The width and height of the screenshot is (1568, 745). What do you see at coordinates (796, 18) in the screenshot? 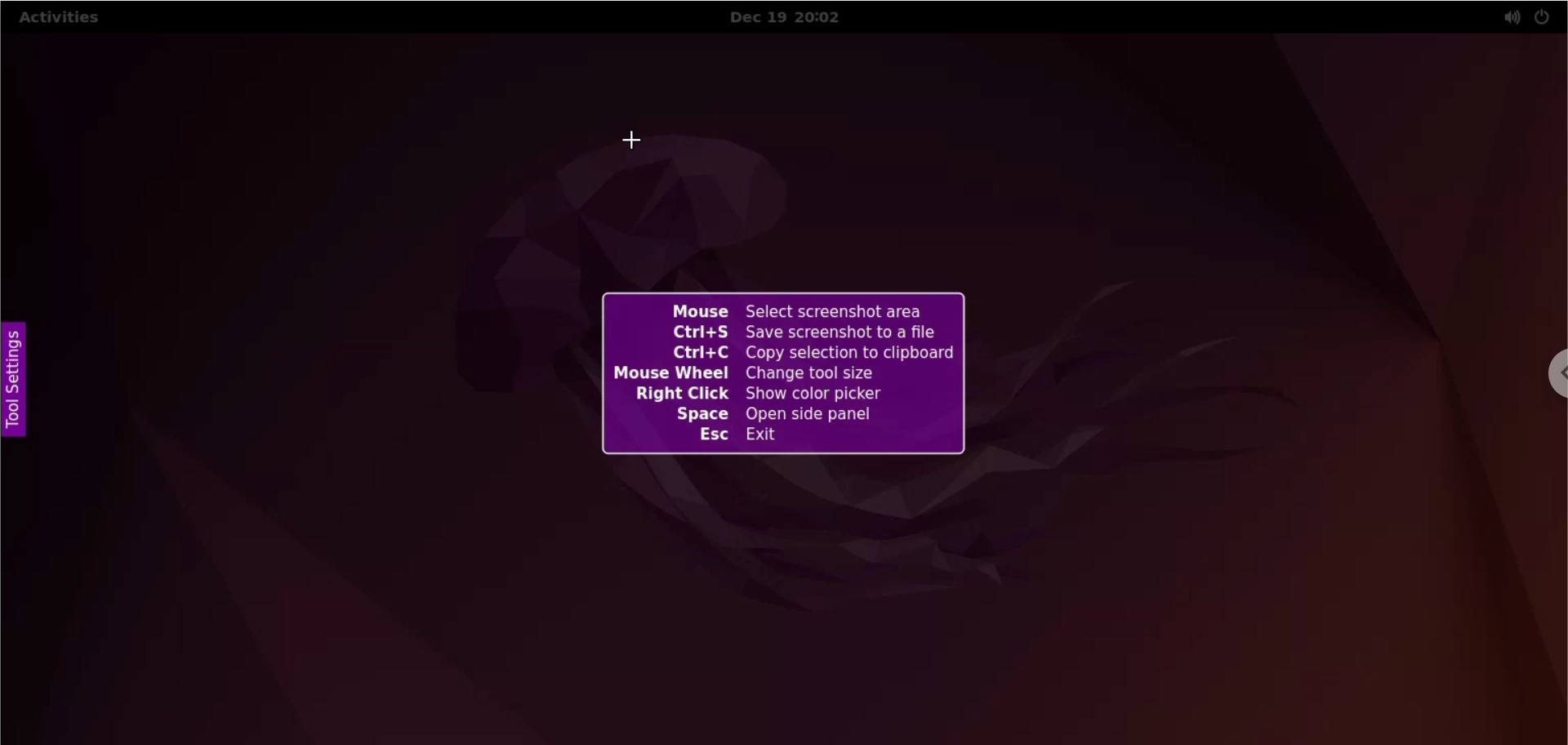
I see `Dec 19 20:02` at bounding box center [796, 18].